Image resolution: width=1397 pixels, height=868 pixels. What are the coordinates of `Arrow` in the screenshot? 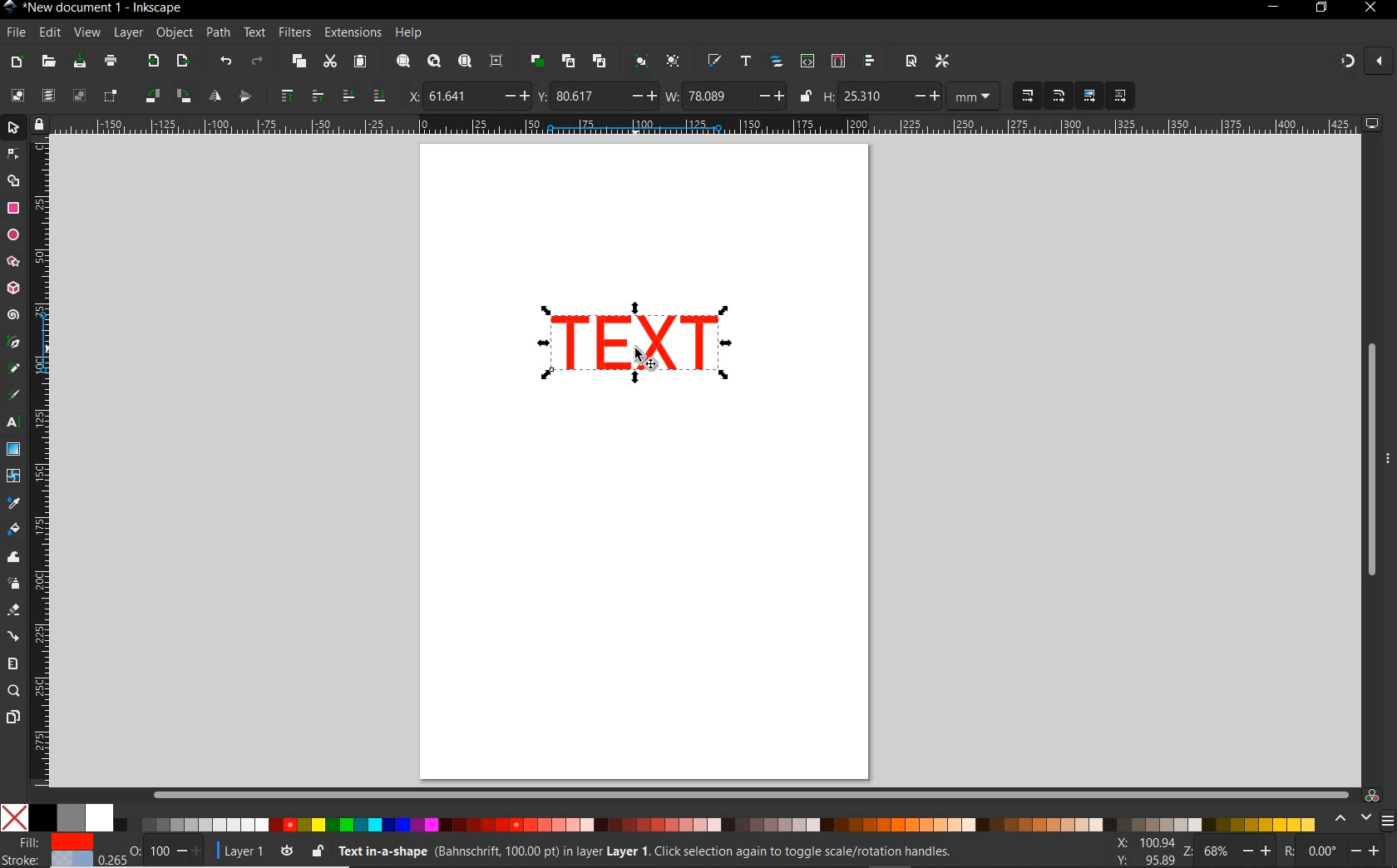 It's located at (15, 167).